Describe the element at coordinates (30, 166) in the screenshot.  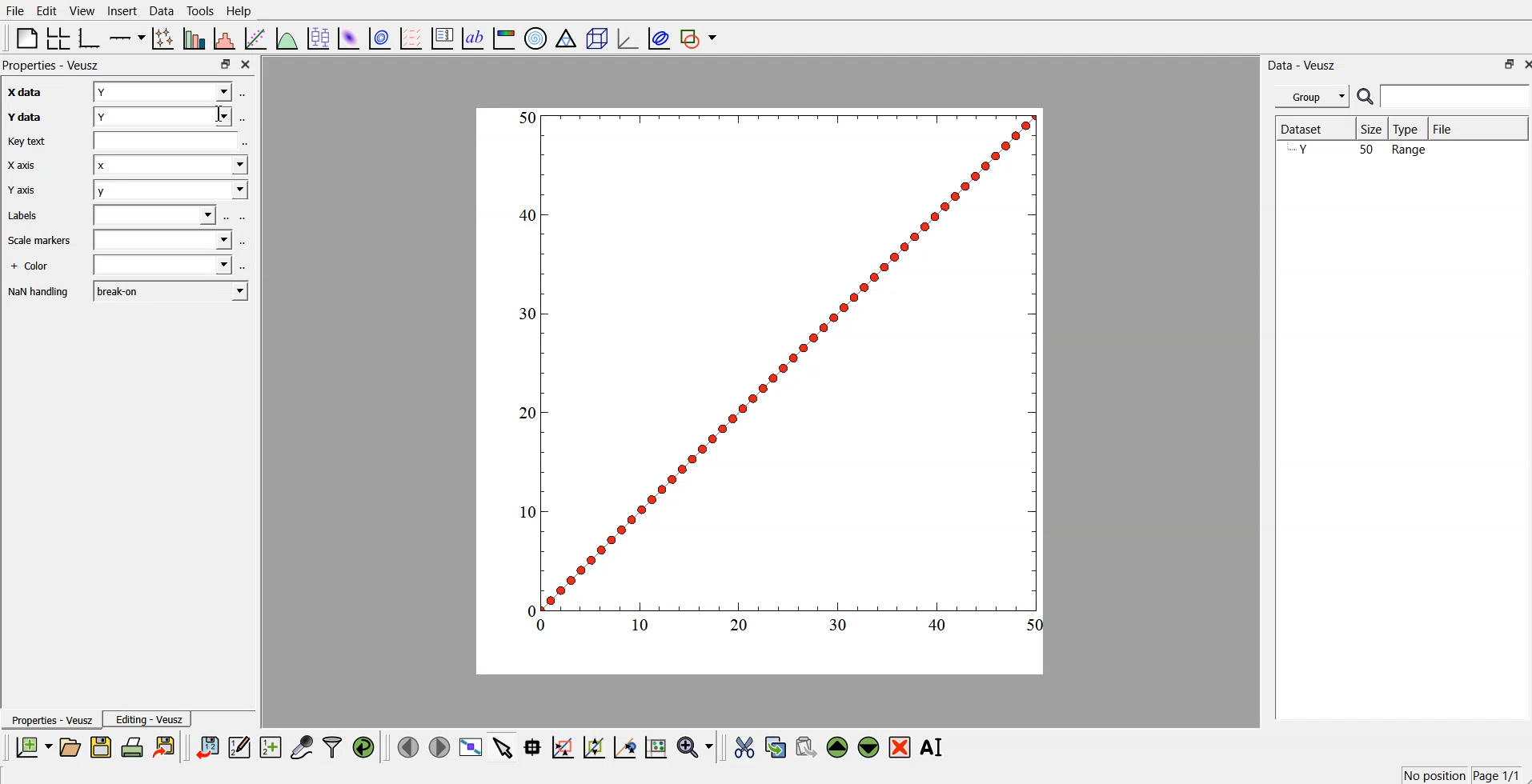
I see `X axis` at that location.